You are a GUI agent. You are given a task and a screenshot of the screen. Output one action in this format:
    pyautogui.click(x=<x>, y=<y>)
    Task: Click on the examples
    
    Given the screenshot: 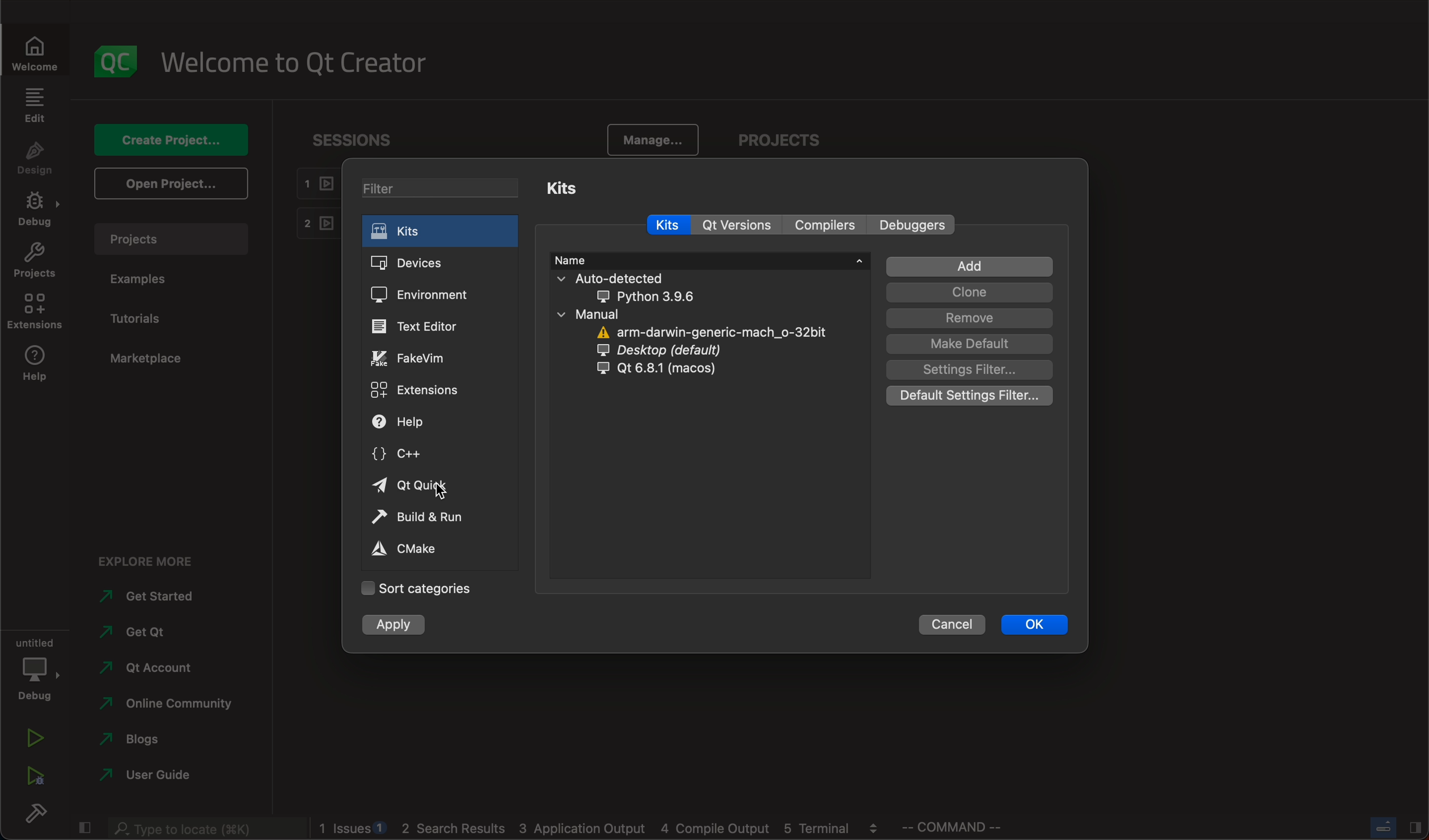 What is the action you would take?
    pyautogui.click(x=146, y=280)
    